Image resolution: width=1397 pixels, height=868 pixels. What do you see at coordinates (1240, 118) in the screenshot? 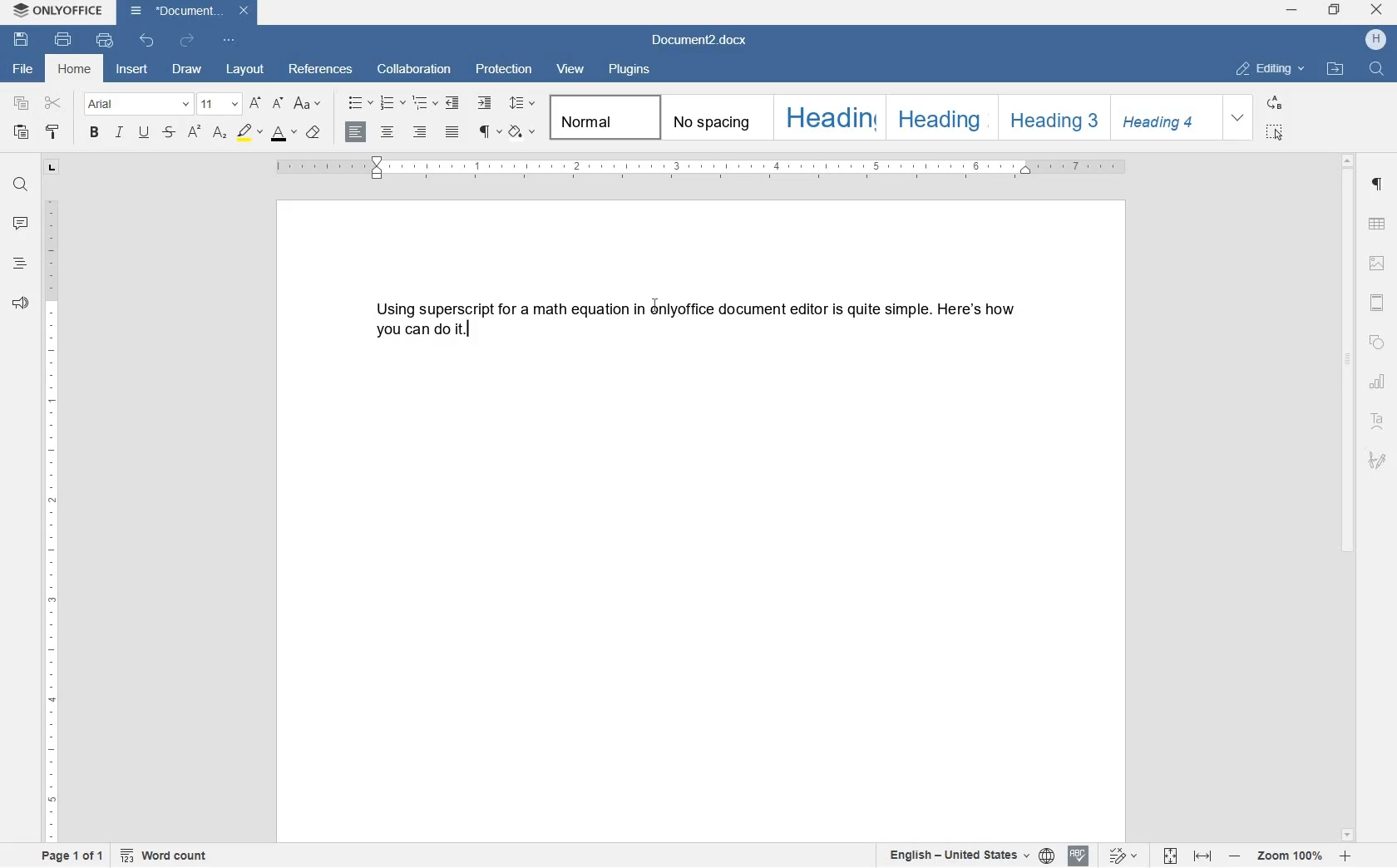
I see `EXPAND FORMATTING STYLE` at bounding box center [1240, 118].